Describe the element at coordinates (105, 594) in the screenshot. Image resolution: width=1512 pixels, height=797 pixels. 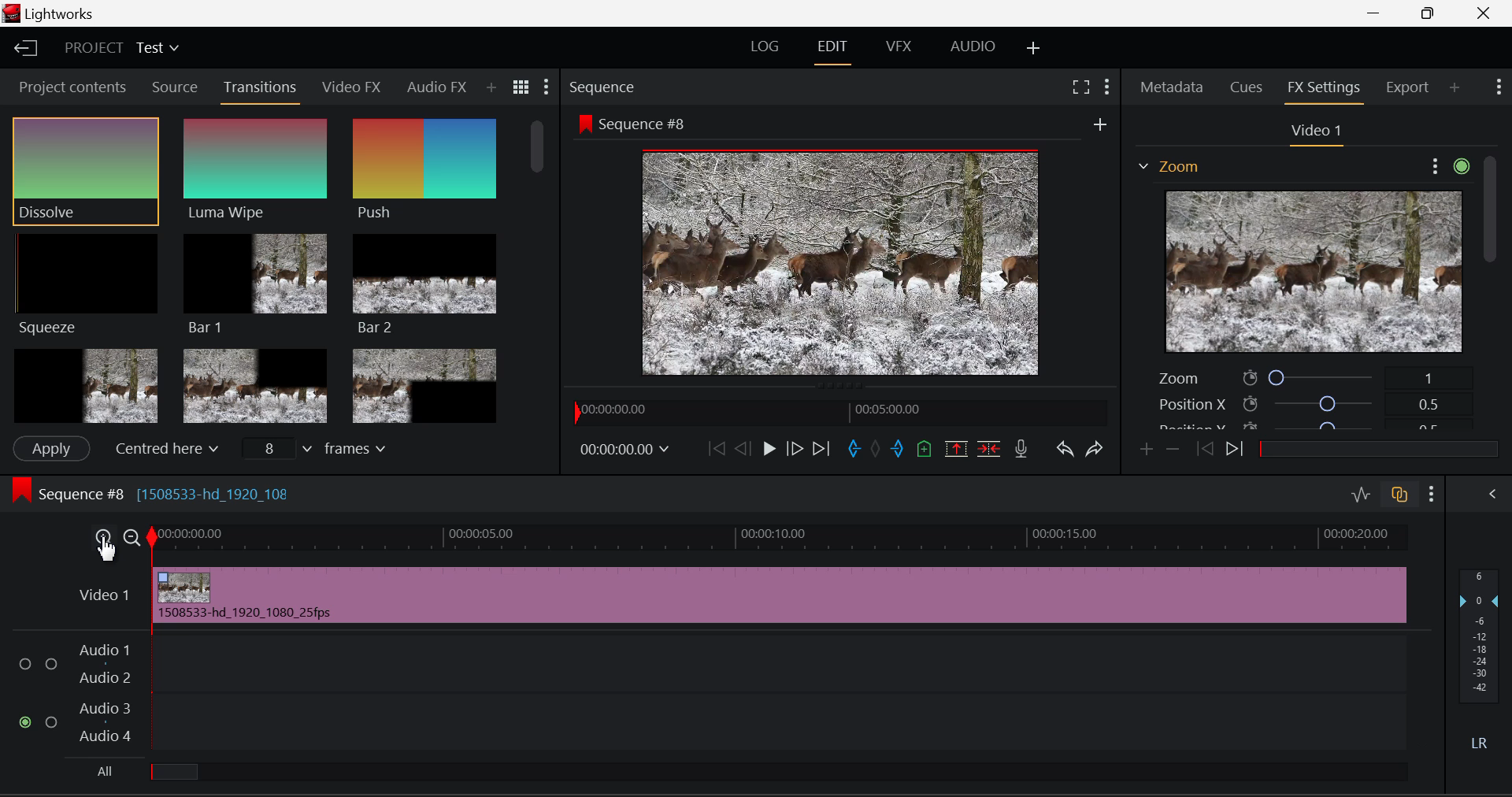
I see `Video Layer` at that location.